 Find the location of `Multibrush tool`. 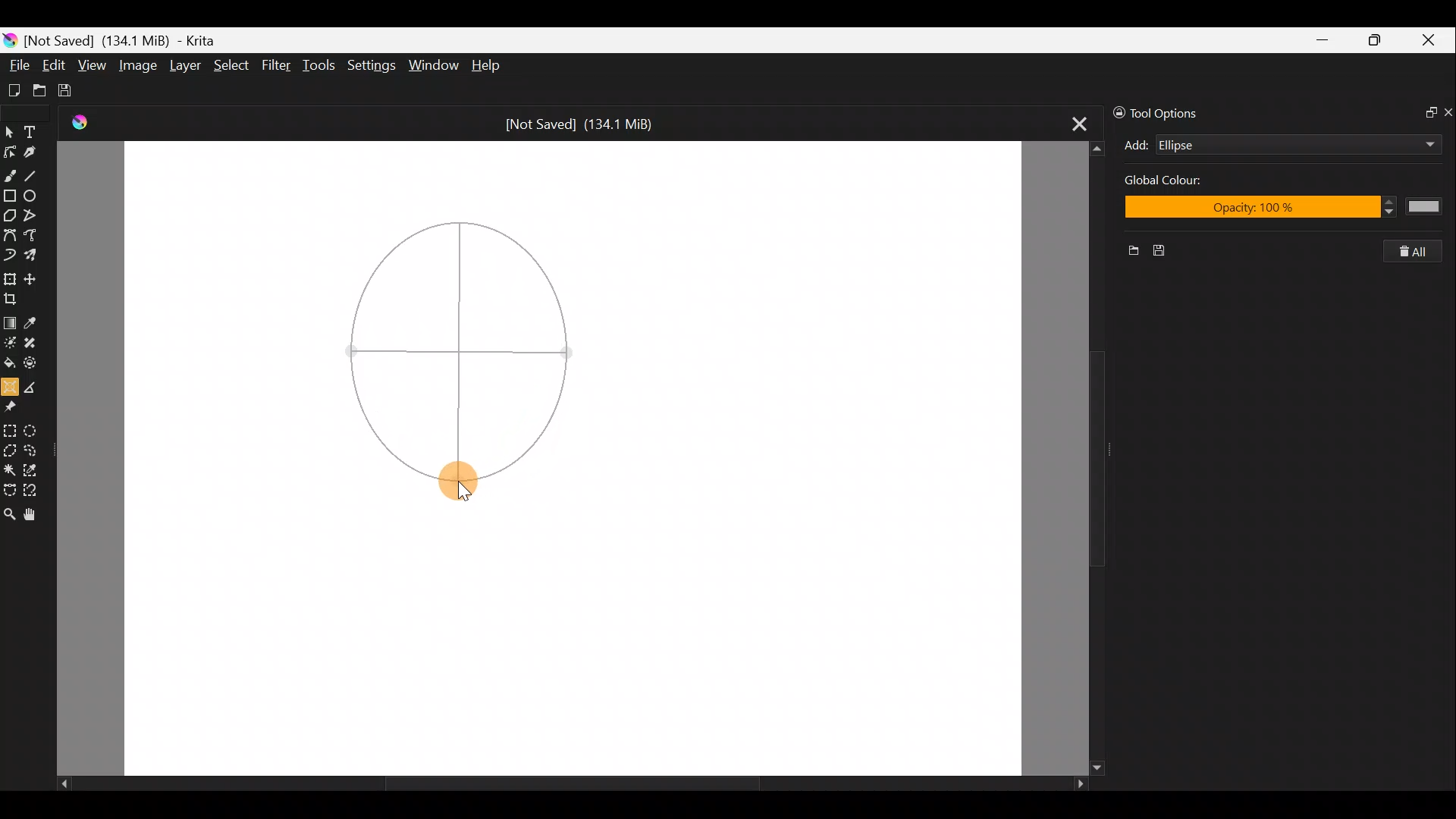

Multibrush tool is located at coordinates (33, 257).